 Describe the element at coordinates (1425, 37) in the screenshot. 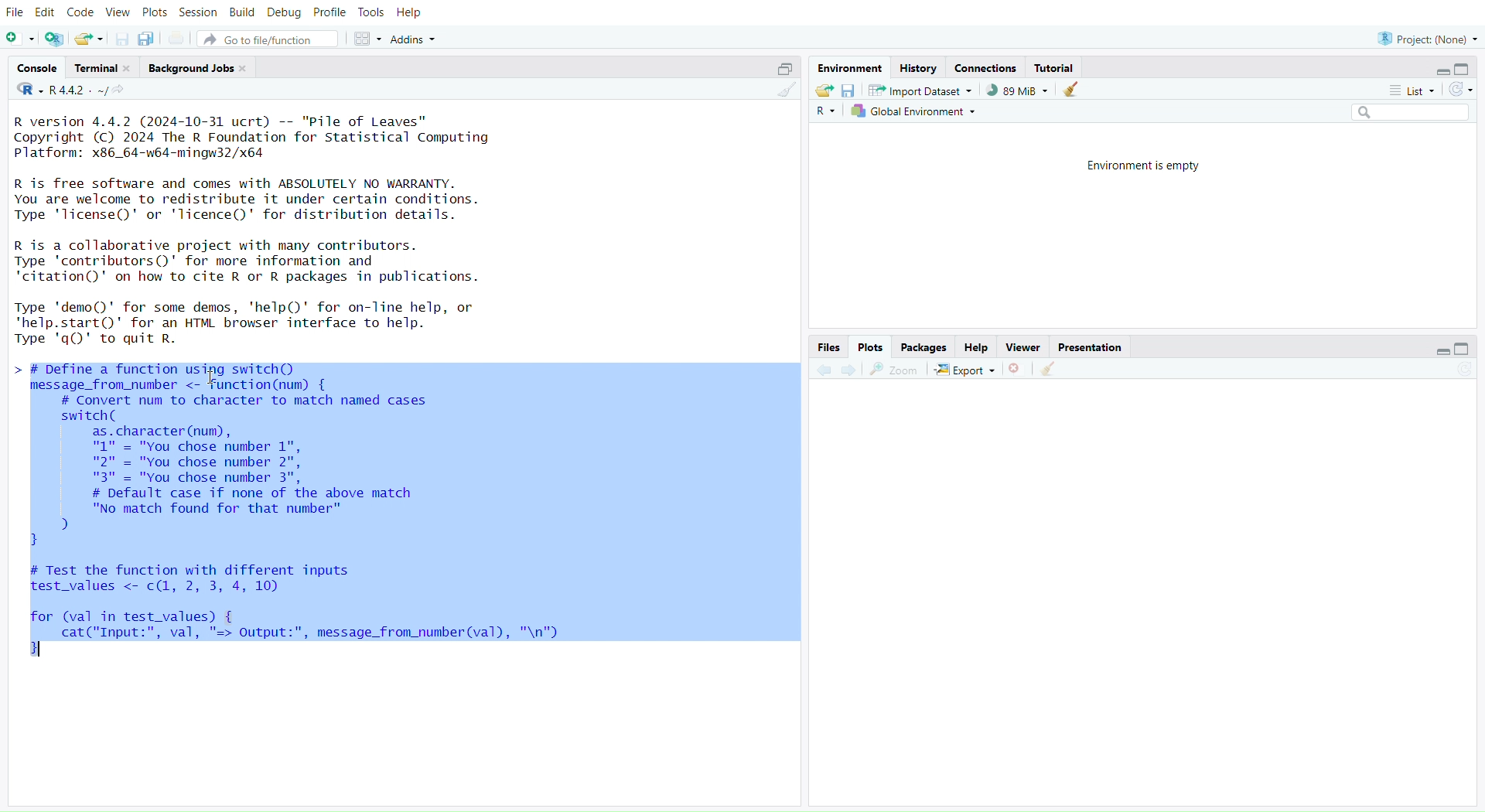

I see `Project (Note)` at that location.